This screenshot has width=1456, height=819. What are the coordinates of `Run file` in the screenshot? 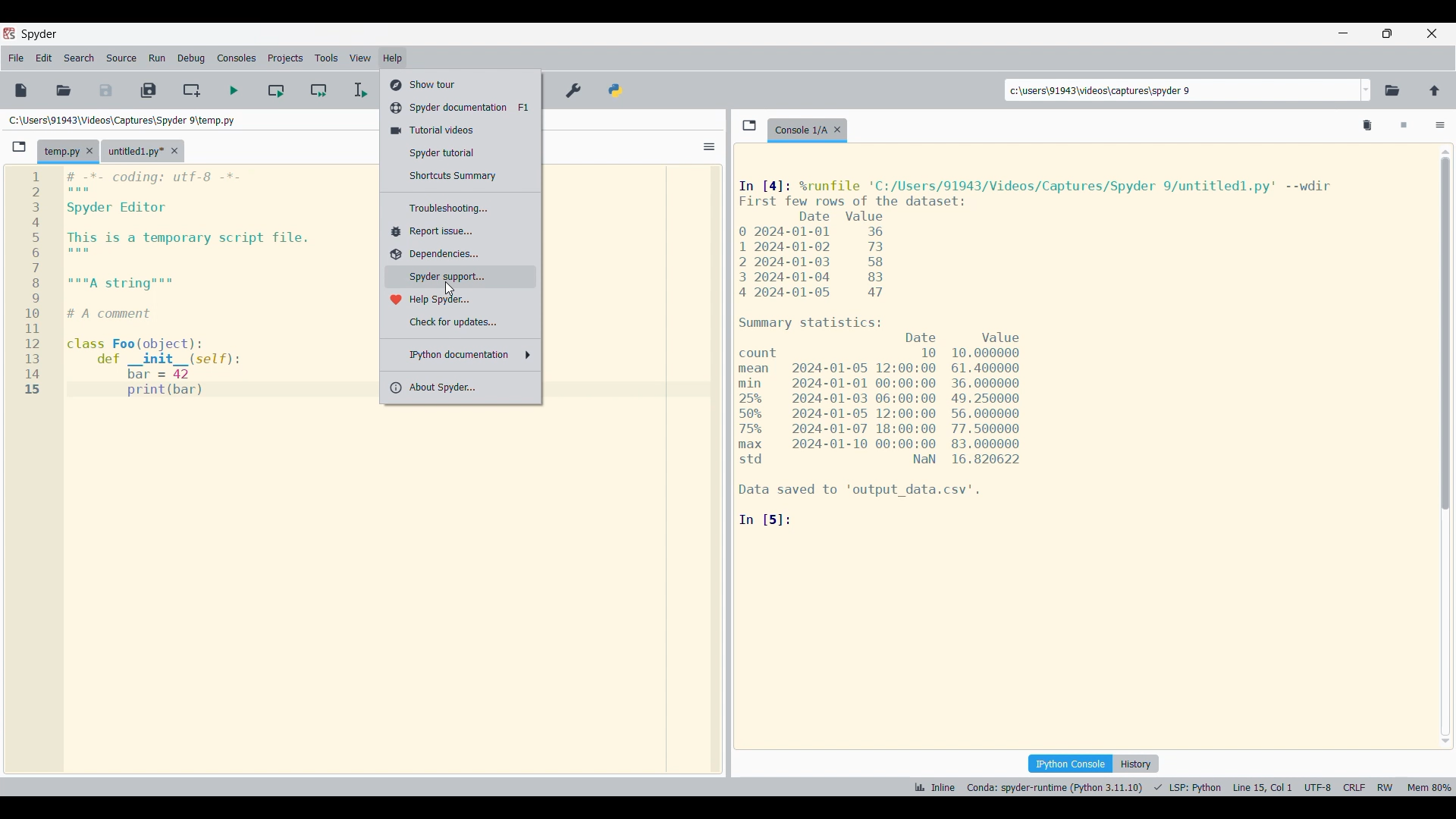 It's located at (234, 91).